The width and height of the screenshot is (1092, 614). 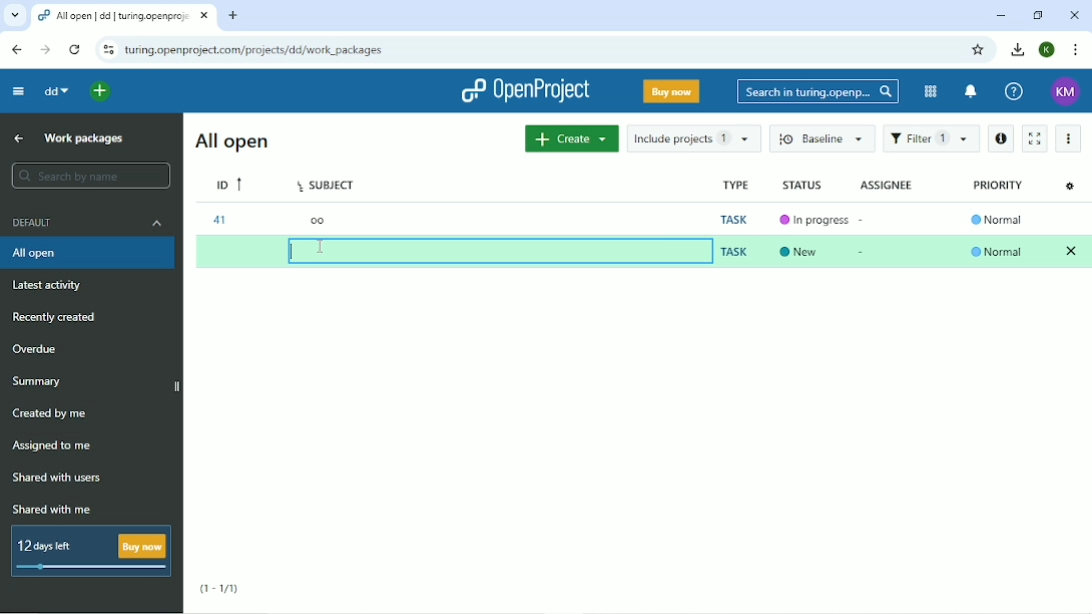 What do you see at coordinates (1074, 50) in the screenshot?
I see `Customize and control google chrome` at bounding box center [1074, 50].